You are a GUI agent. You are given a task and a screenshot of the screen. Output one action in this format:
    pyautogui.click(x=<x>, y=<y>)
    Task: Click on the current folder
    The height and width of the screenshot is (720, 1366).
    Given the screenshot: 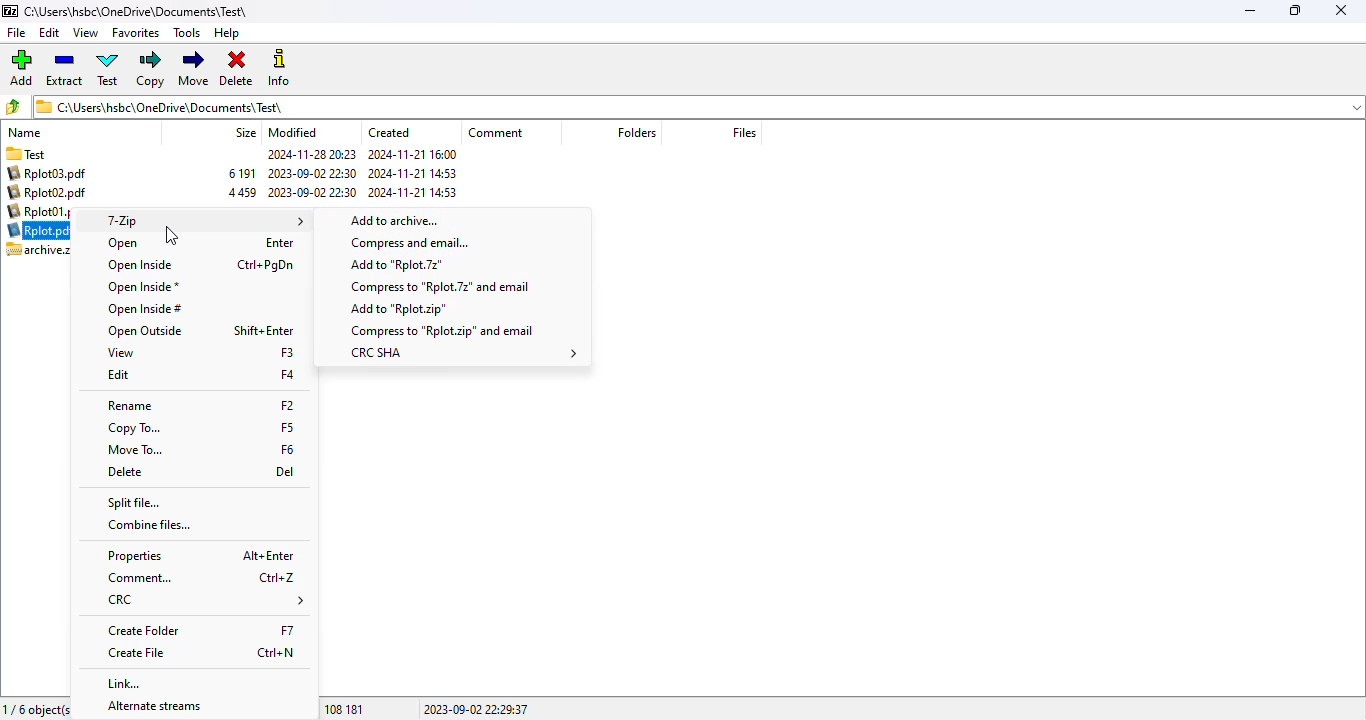 What is the action you would take?
    pyautogui.click(x=685, y=106)
    